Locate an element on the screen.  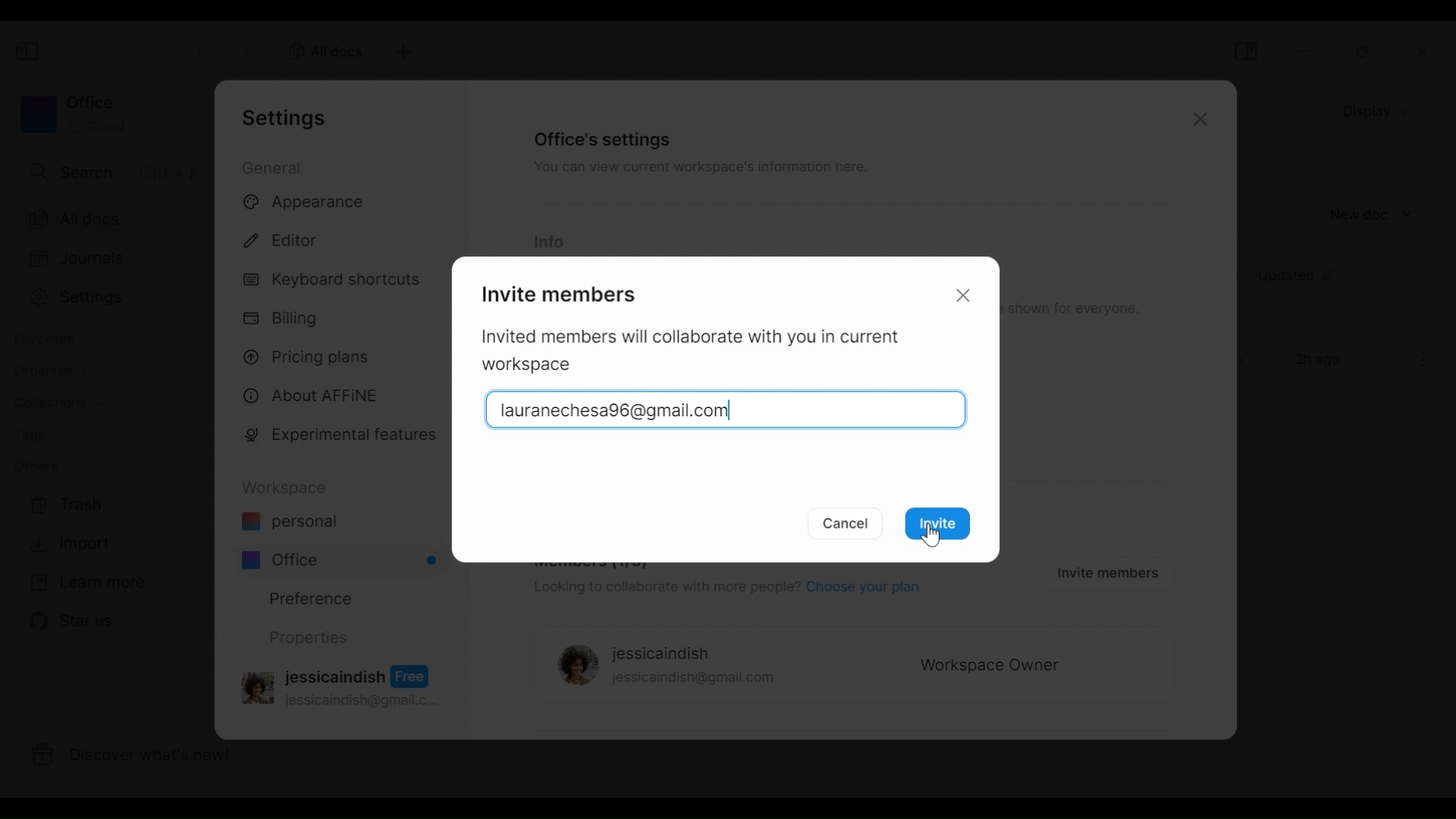
Only an owner can edit the workspace avatar and name. Changes will be shown for everyone. is located at coordinates (1077, 309).